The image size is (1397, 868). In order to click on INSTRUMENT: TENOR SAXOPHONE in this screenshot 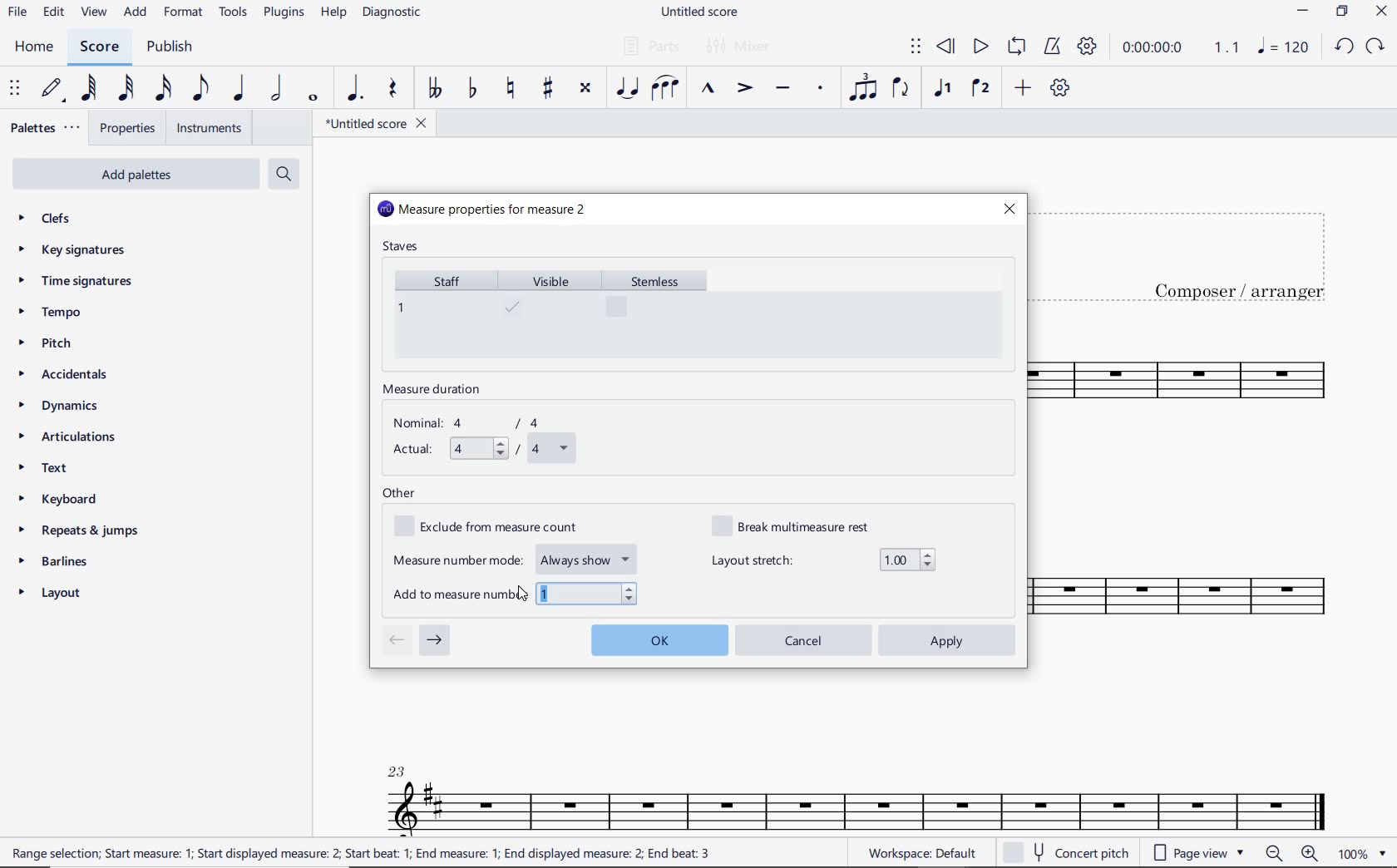, I will do `click(1202, 500)`.